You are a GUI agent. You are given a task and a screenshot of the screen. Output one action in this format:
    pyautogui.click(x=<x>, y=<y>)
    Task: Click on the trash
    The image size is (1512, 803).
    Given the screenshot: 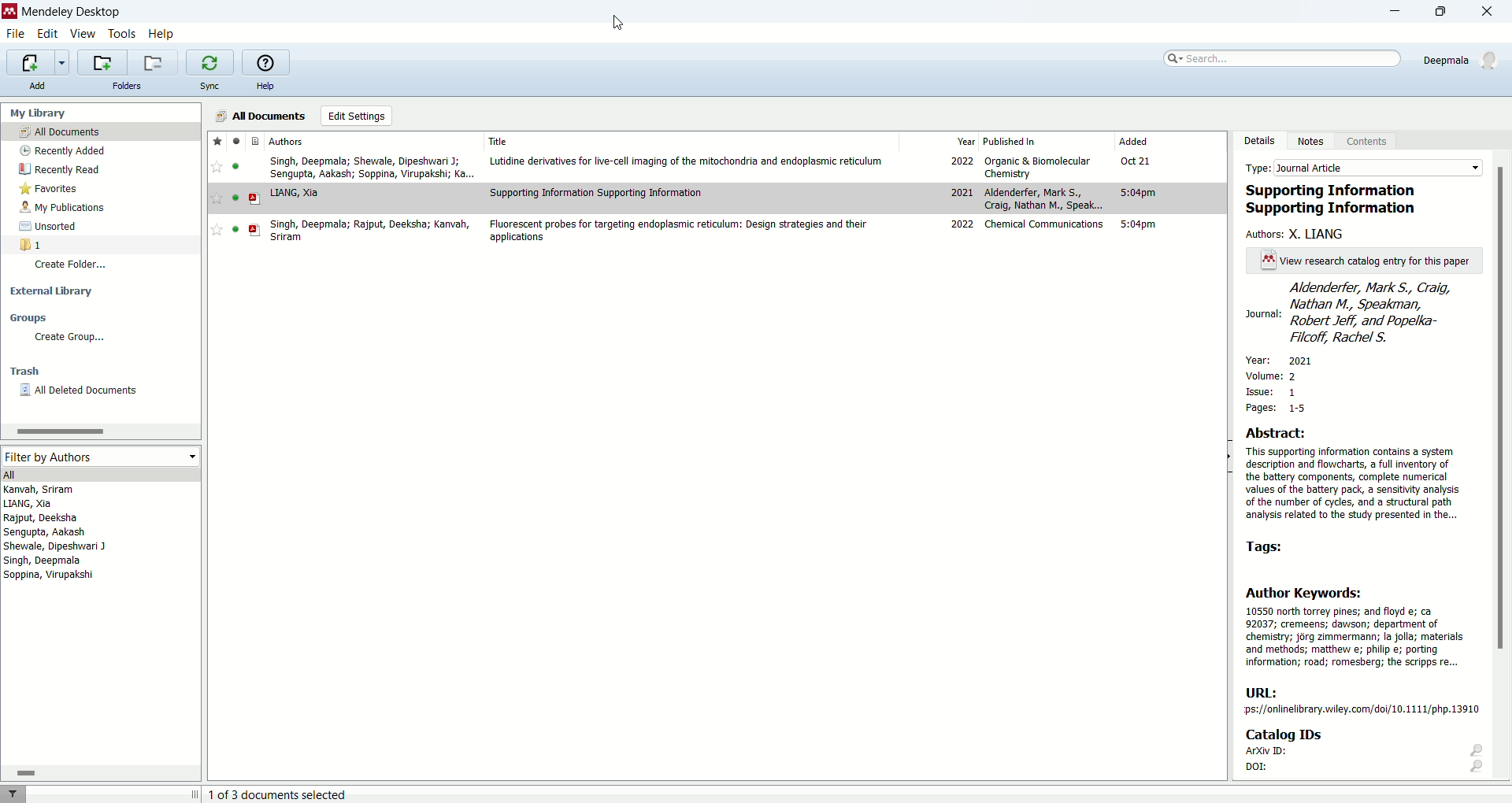 What is the action you would take?
    pyautogui.click(x=24, y=371)
    